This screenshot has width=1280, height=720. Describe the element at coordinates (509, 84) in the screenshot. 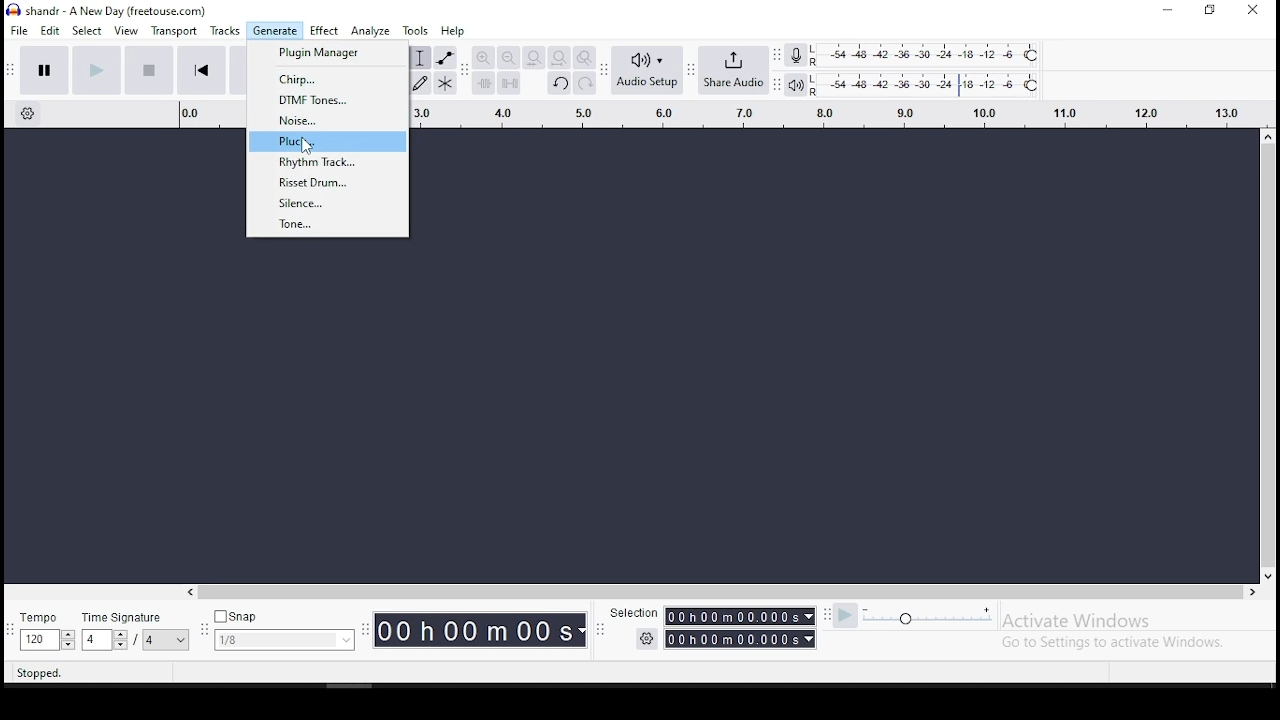

I see `silence audio signal` at that location.